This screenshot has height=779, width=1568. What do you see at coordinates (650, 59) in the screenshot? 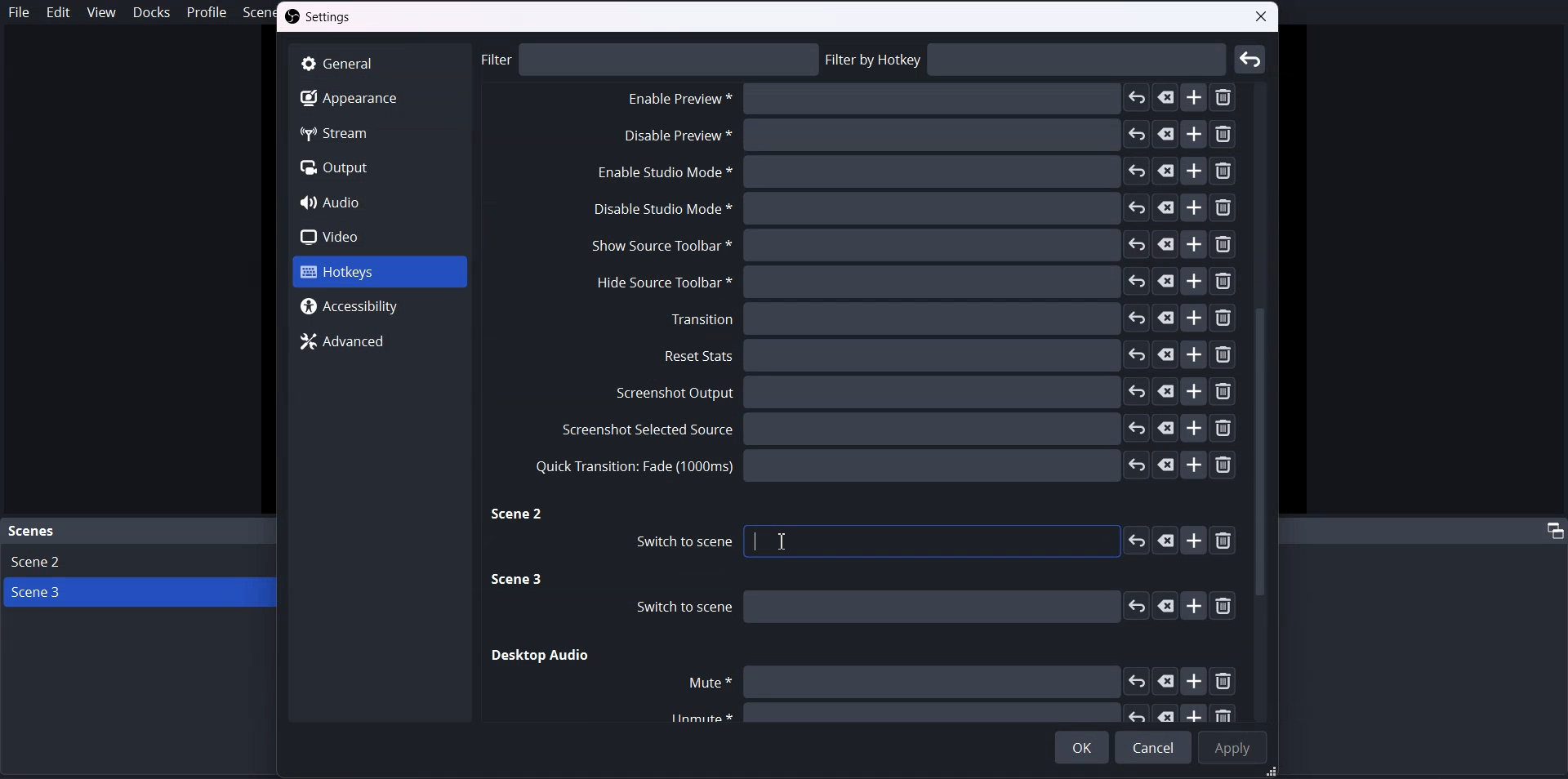
I see `philtre` at bounding box center [650, 59].